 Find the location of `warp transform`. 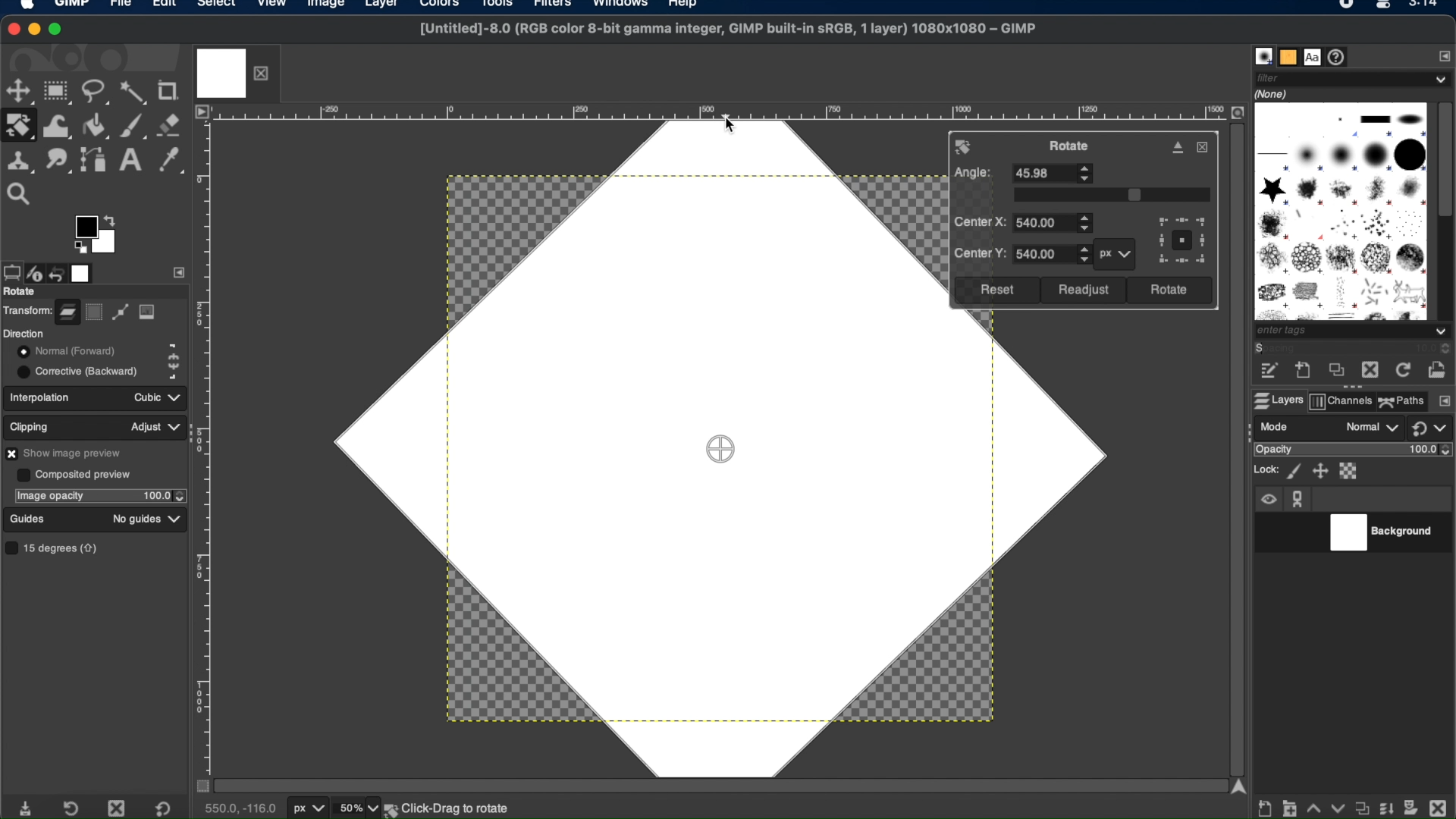

warp transform is located at coordinates (56, 124).